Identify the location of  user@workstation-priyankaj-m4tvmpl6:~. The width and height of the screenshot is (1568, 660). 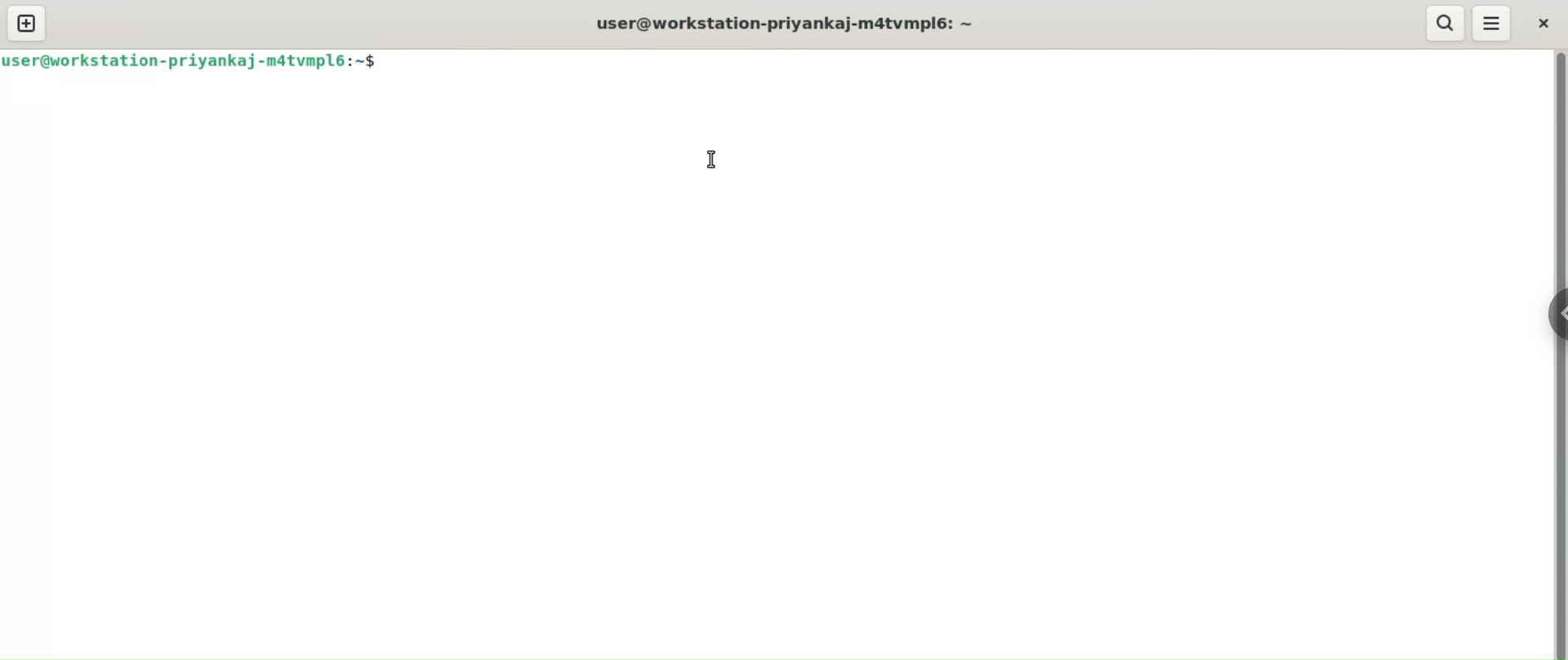
(787, 23).